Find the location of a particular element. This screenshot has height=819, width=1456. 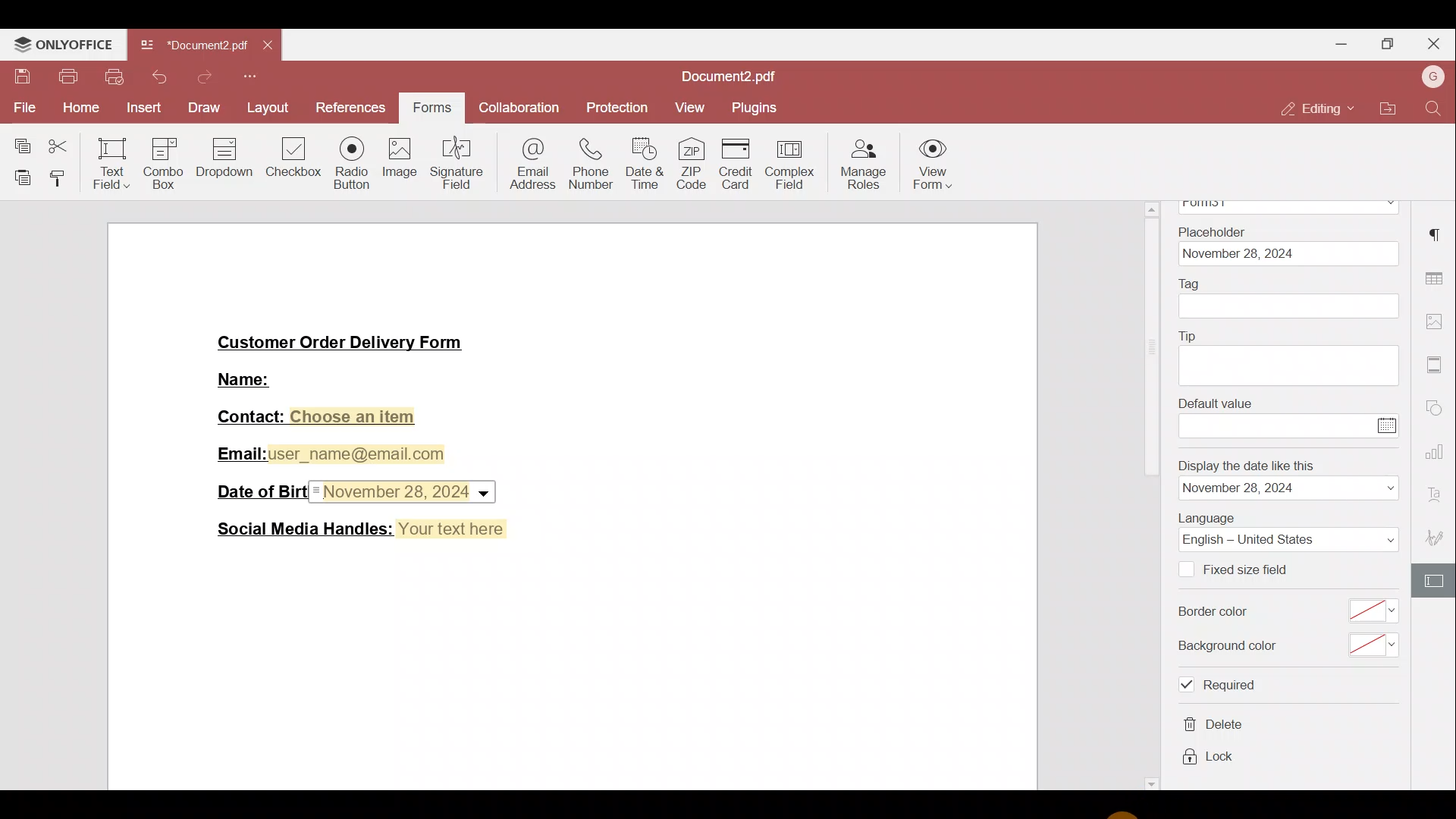

Date & time field inserted is located at coordinates (406, 492).